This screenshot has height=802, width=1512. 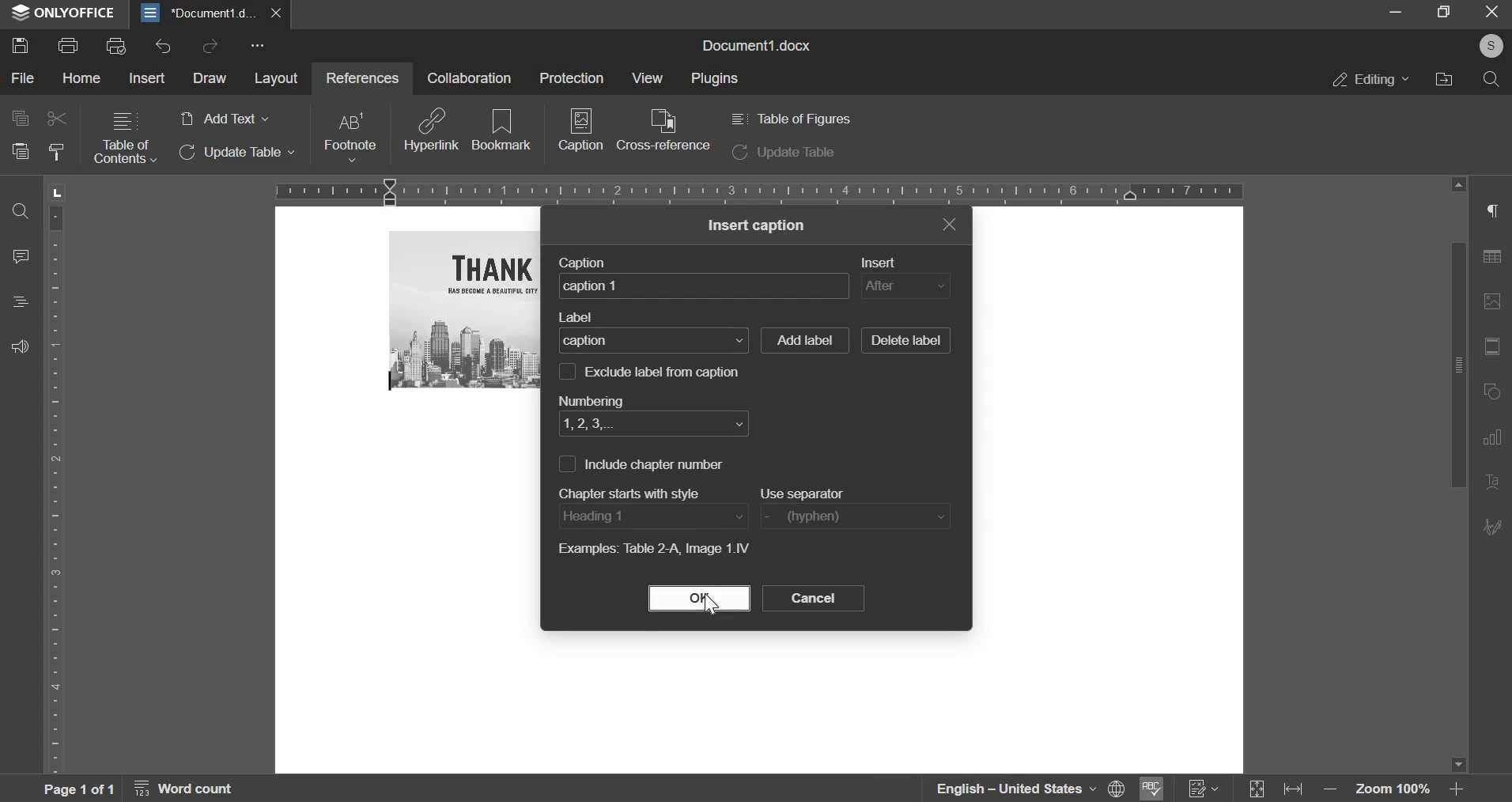 What do you see at coordinates (905, 341) in the screenshot?
I see `delete label` at bounding box center [905, 341].